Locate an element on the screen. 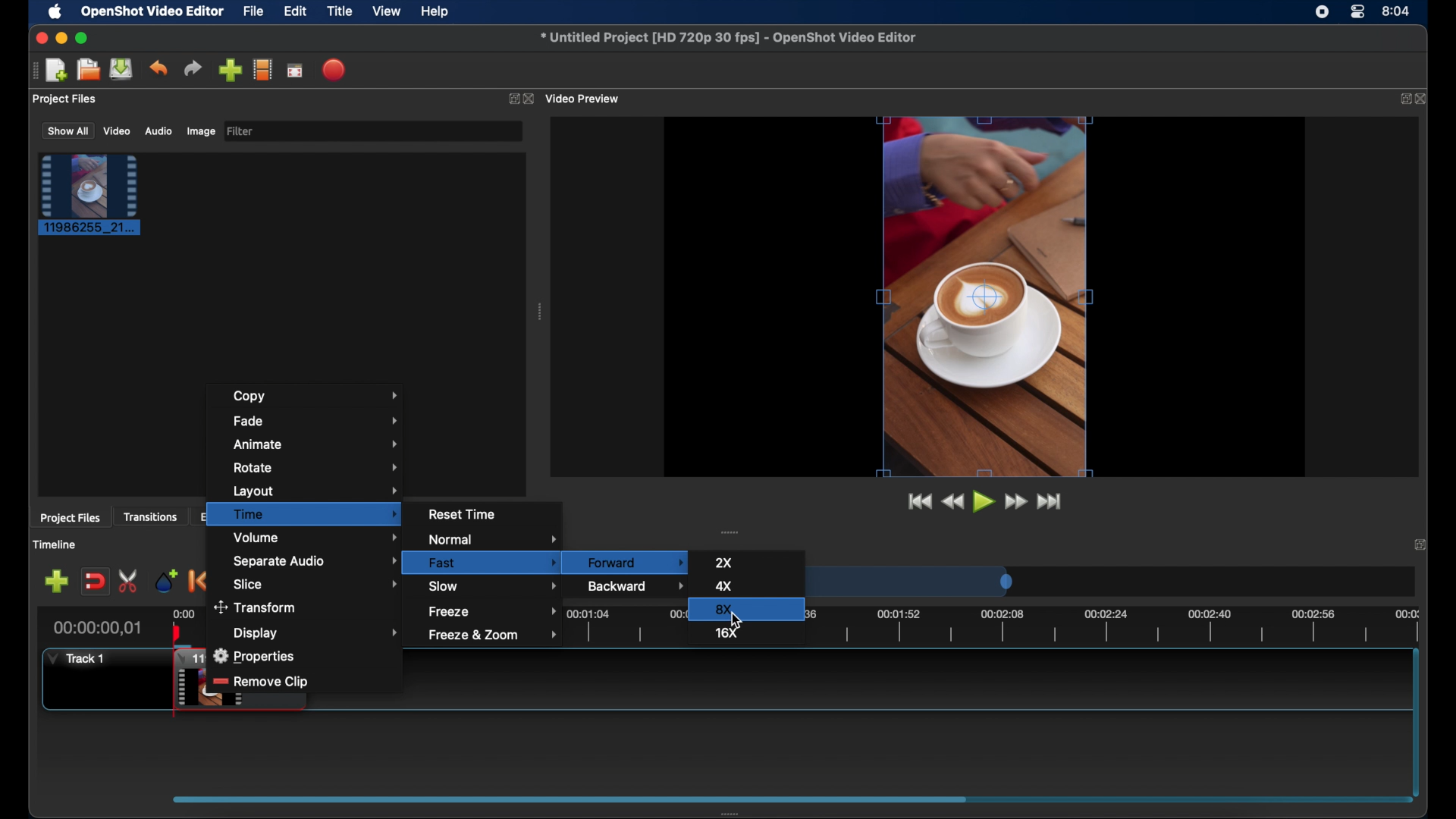 The image size is (1456, 819). fastfoward is located at coordinates (1017, 501).